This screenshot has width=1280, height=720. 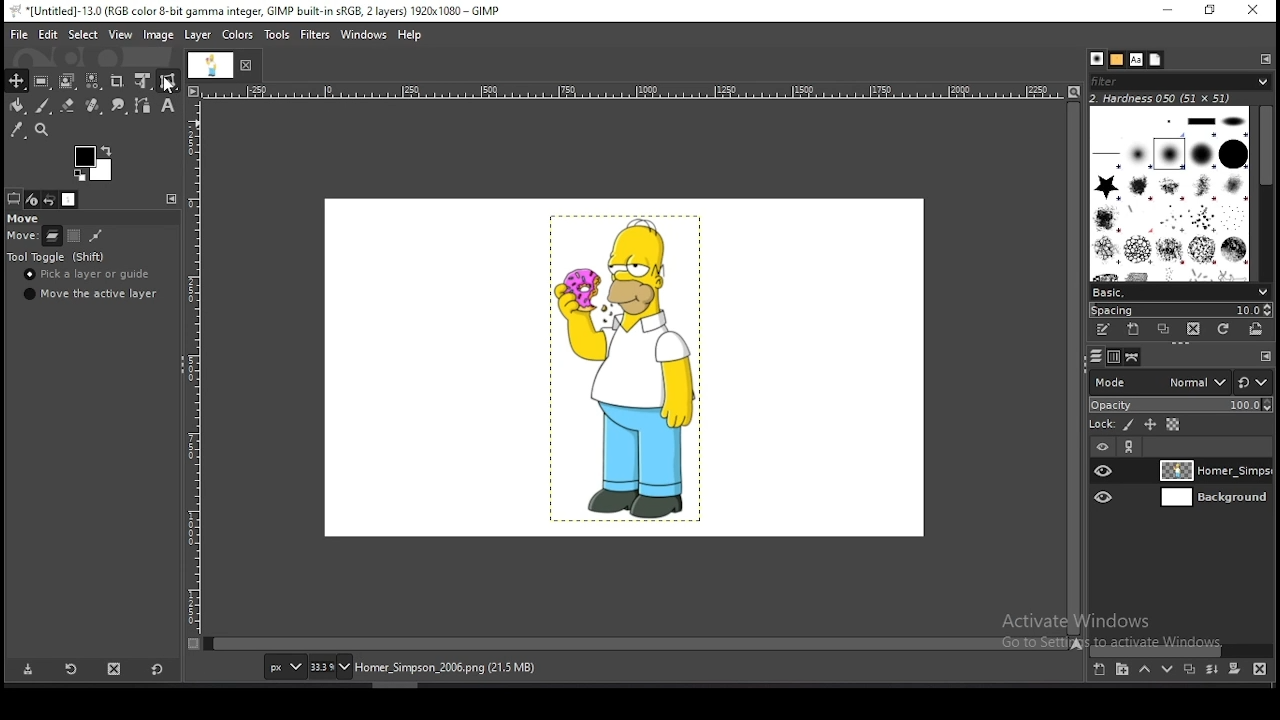 What do you see at coordinates (1263, 59) in the screenshot?
I see `configure this tab` at bounding box center [1263, 59].